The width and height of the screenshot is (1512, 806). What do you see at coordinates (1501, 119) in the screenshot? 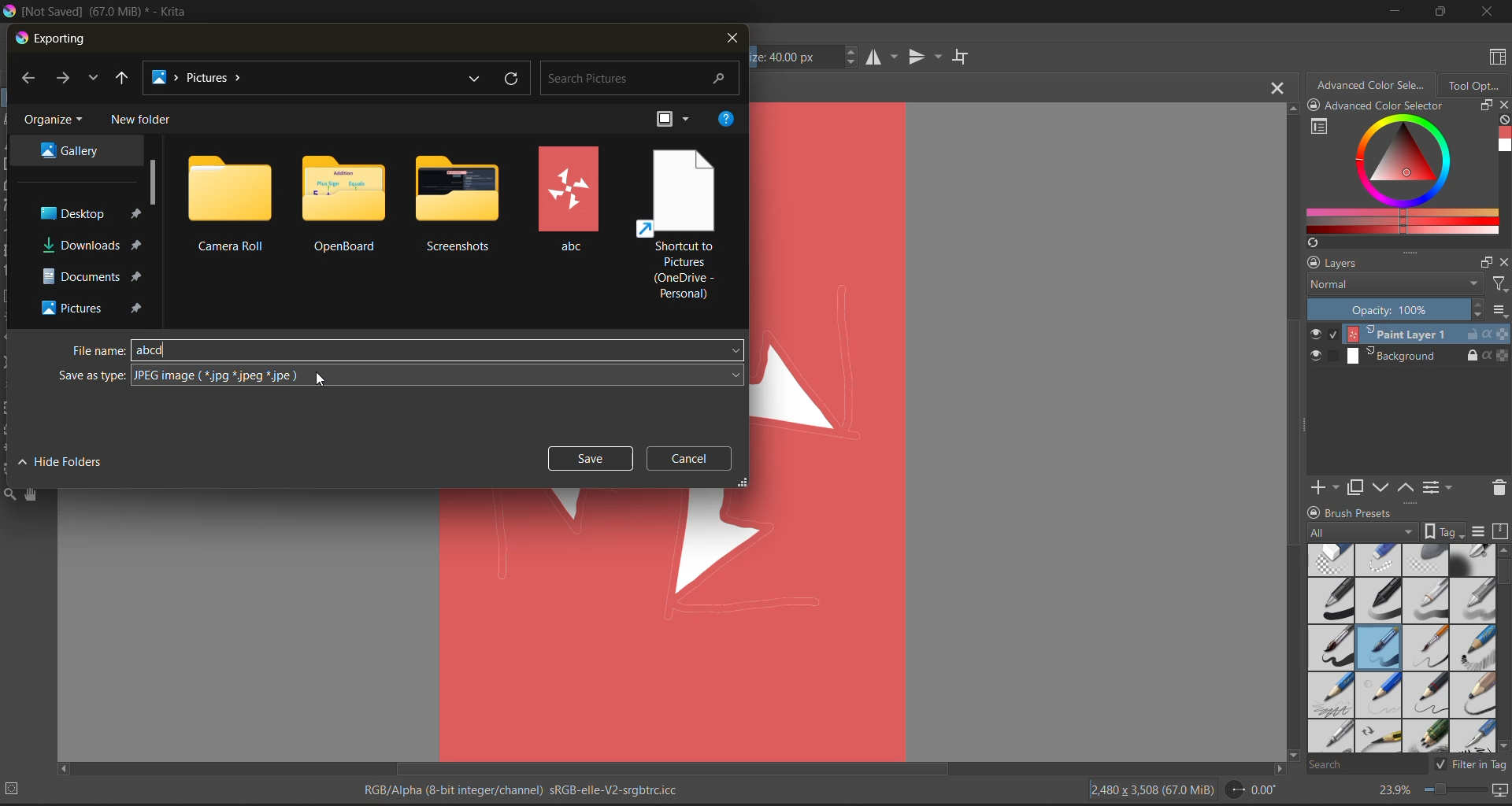
I see `clear all color history` at bounding box center [1501, 119].